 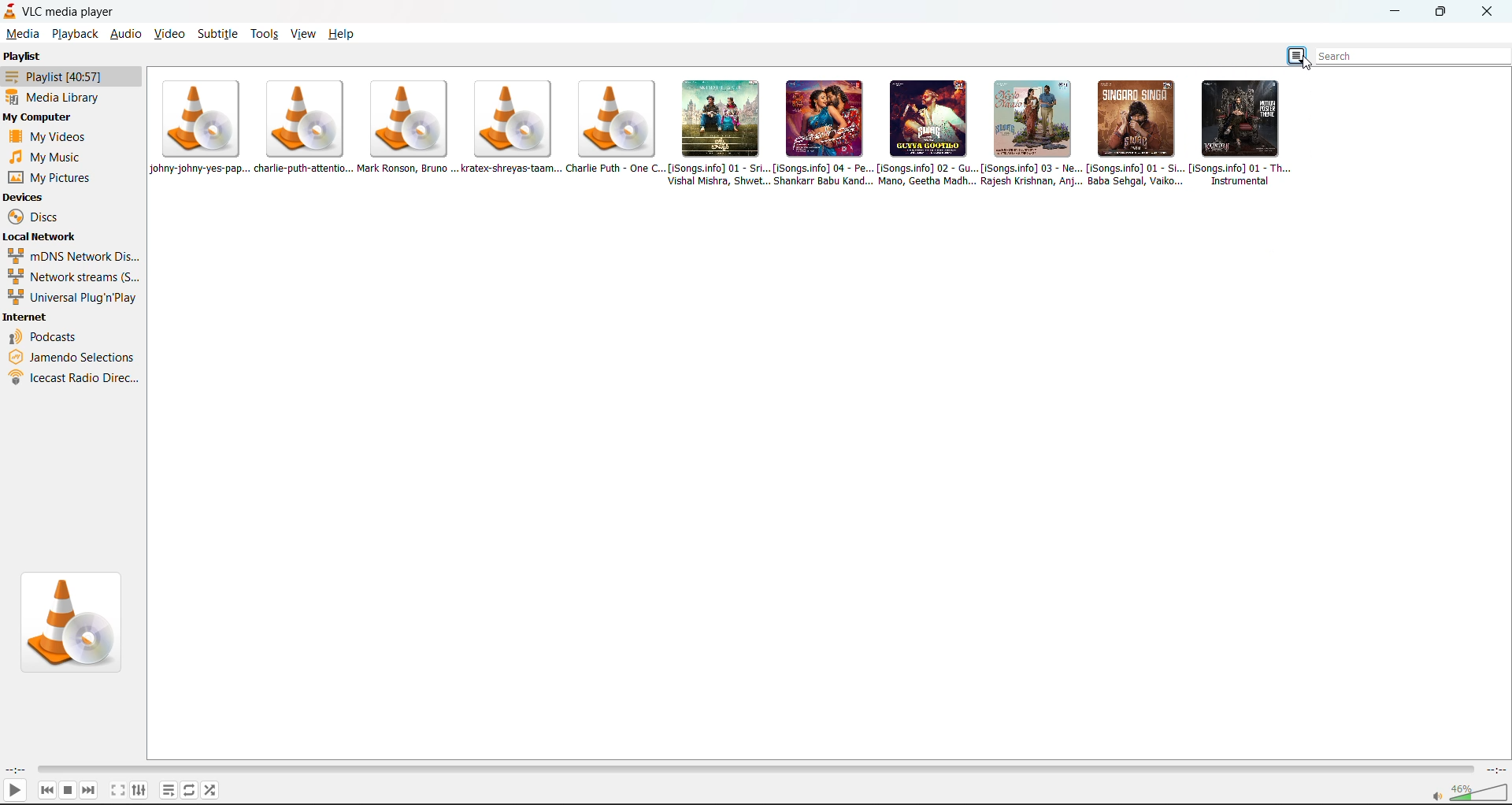 I want to click on fullscreen, so click(x=116, y=788).